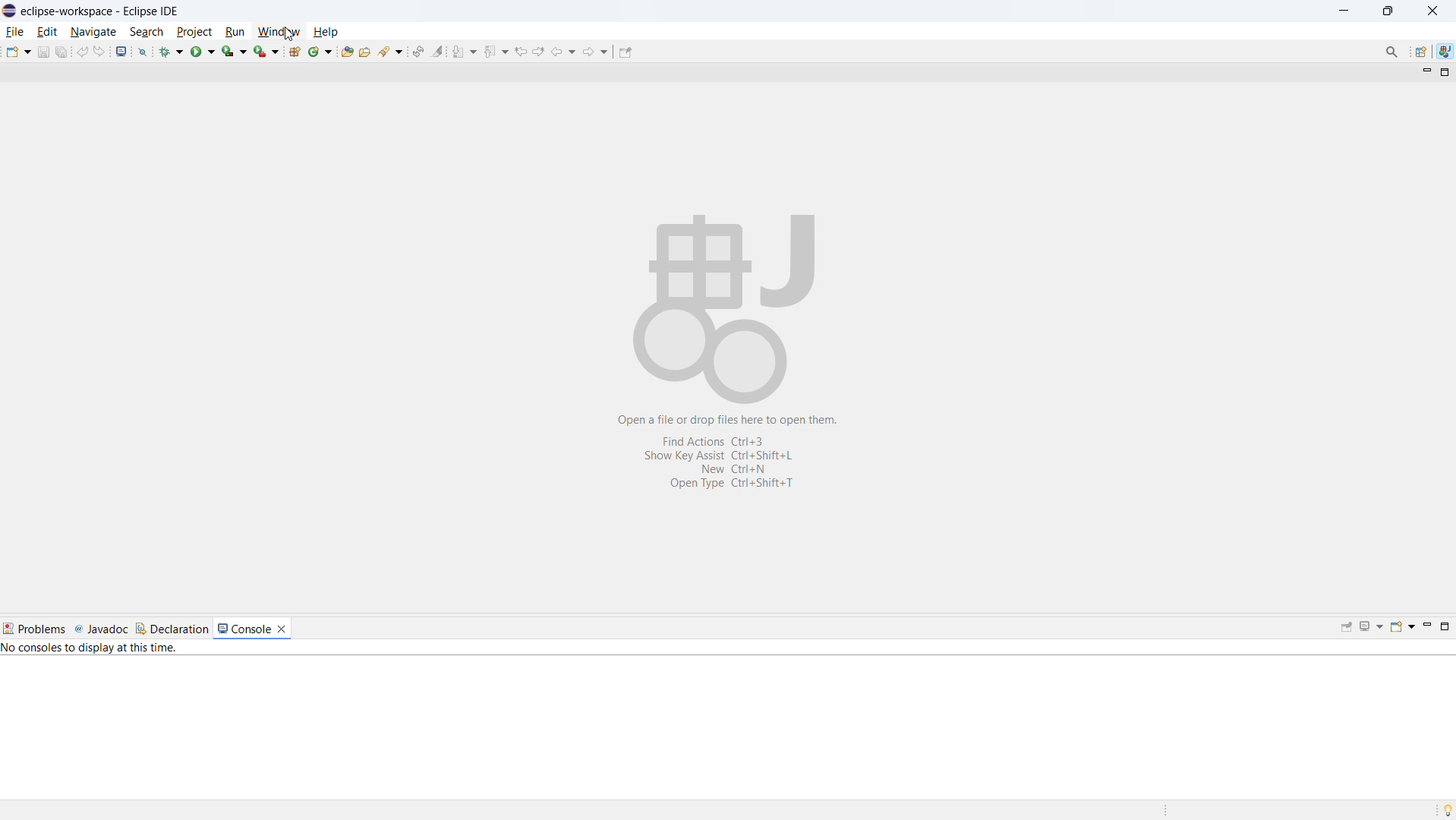 The image size is (1456, 820). What do you see at coordinates (496, 52) in the screenshot?
I see `previous annotation` at bounding box center [496, 52].